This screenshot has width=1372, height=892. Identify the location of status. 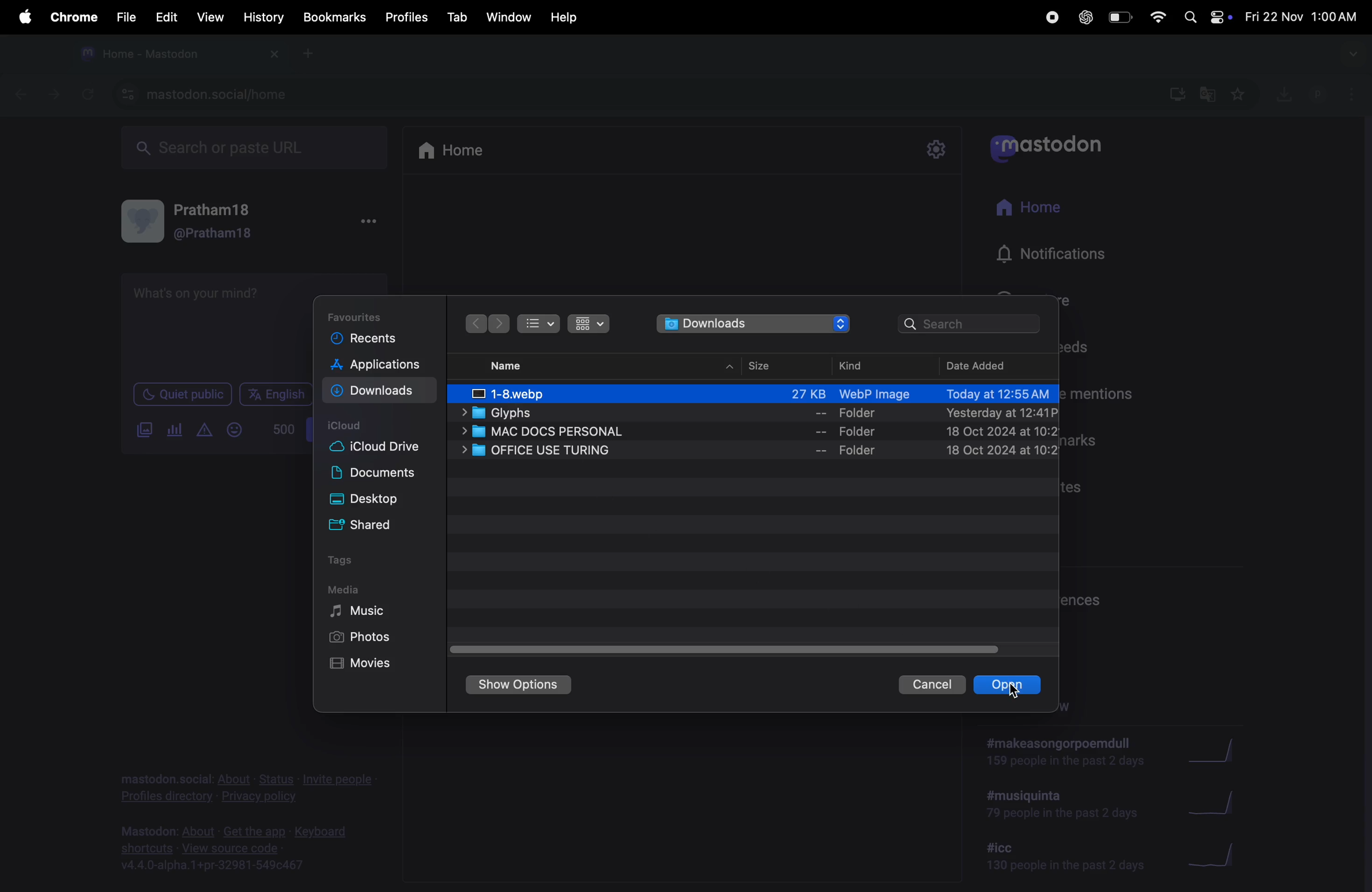
(278, 780).